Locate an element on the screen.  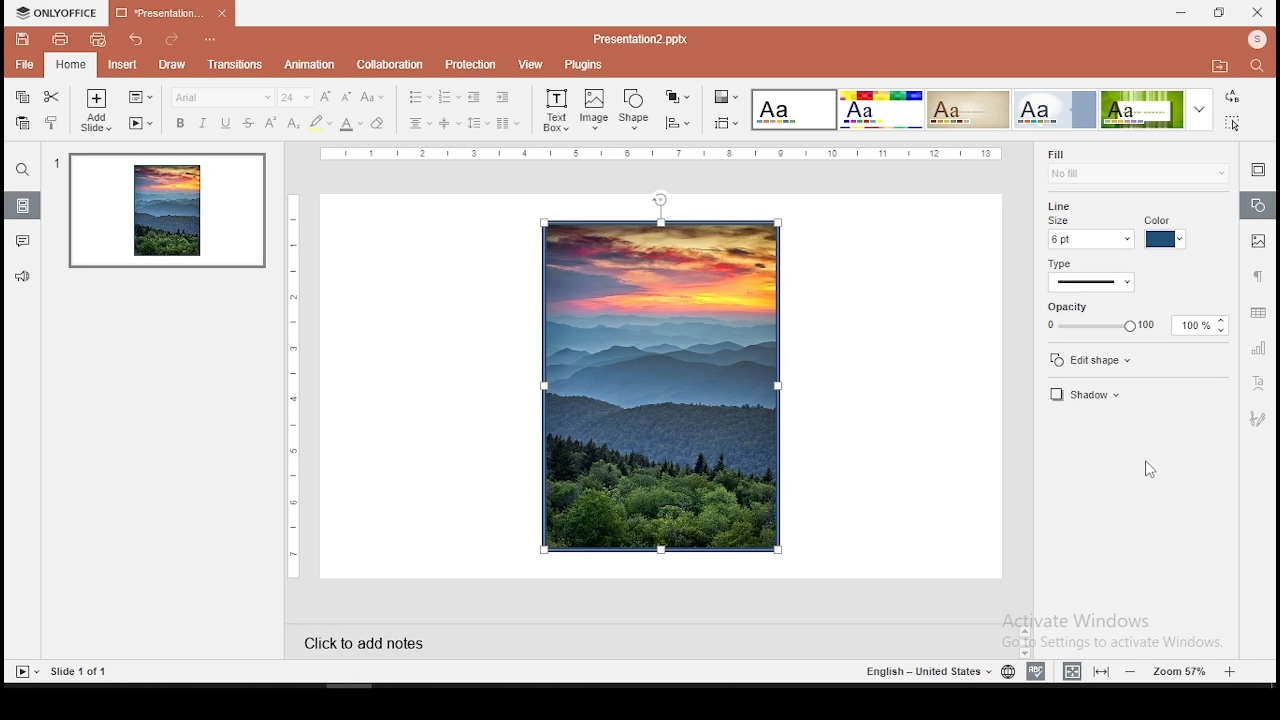
home is located at coordinates (69, 65).